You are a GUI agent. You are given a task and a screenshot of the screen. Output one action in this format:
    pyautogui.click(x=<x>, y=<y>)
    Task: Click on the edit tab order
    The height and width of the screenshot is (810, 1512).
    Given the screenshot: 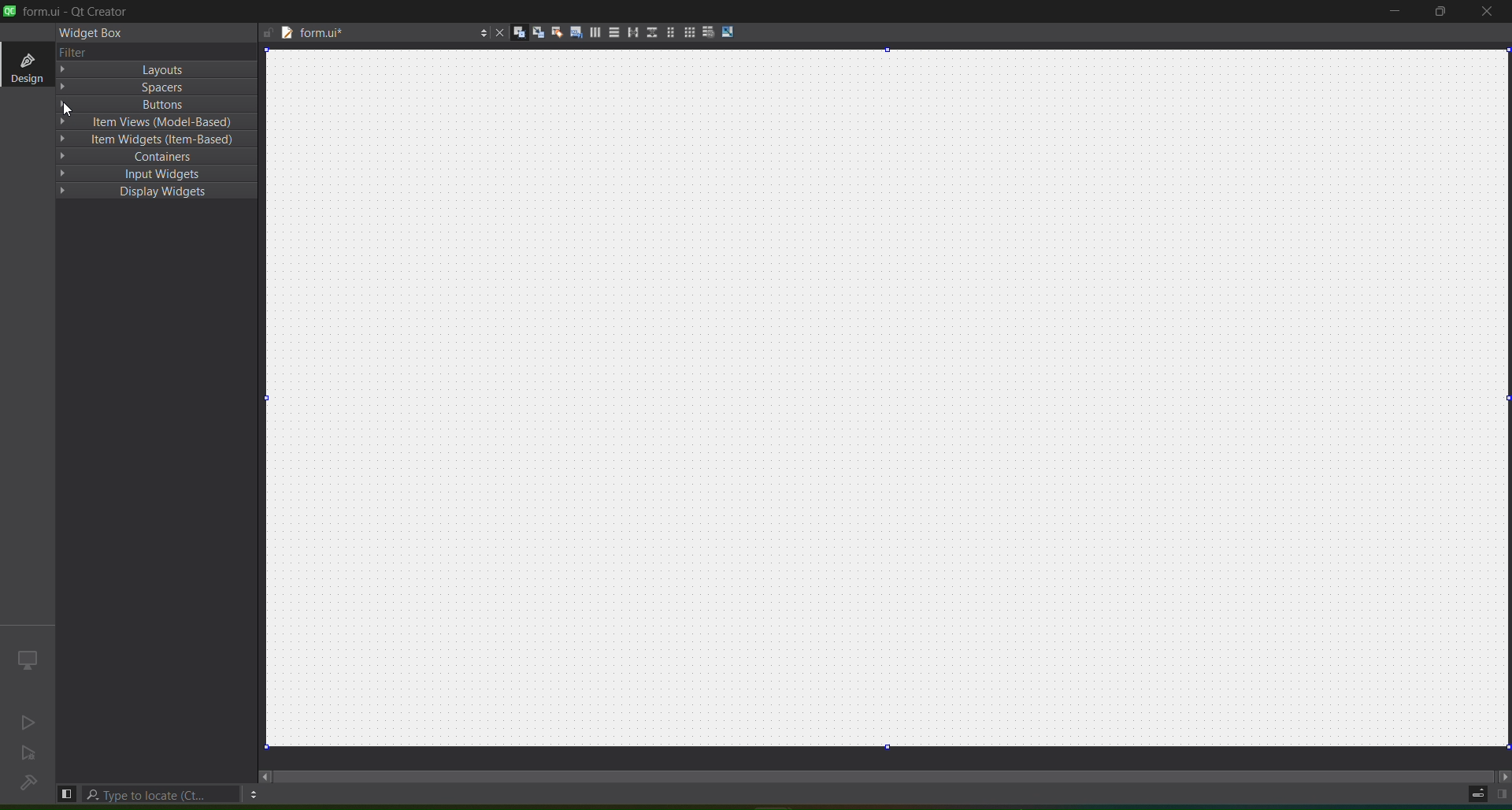 What is the action you would take?
    pyautogui.click(x=573, y=33)
    